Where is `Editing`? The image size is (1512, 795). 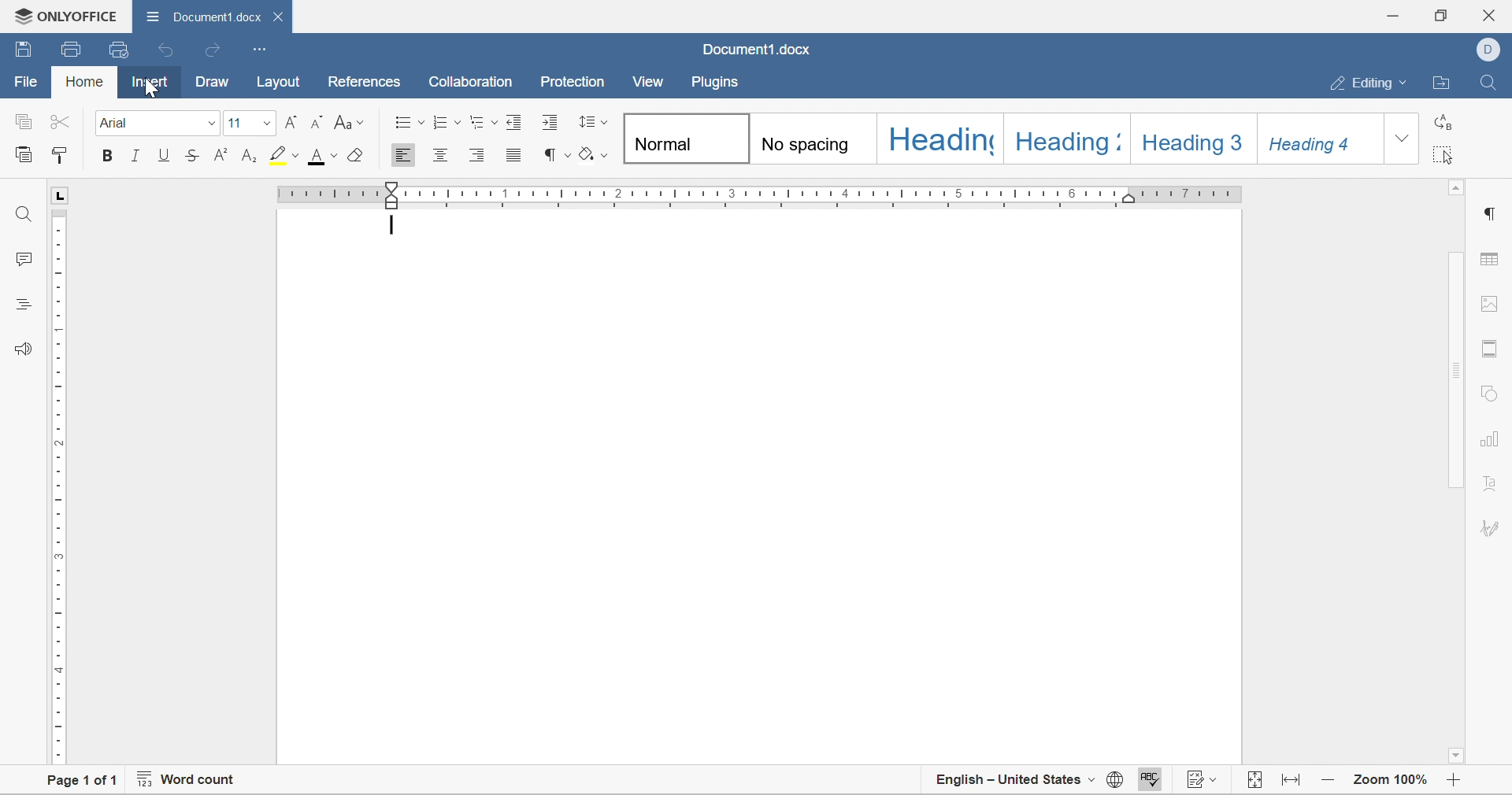
Editing is located at coordinates (1369, 83).